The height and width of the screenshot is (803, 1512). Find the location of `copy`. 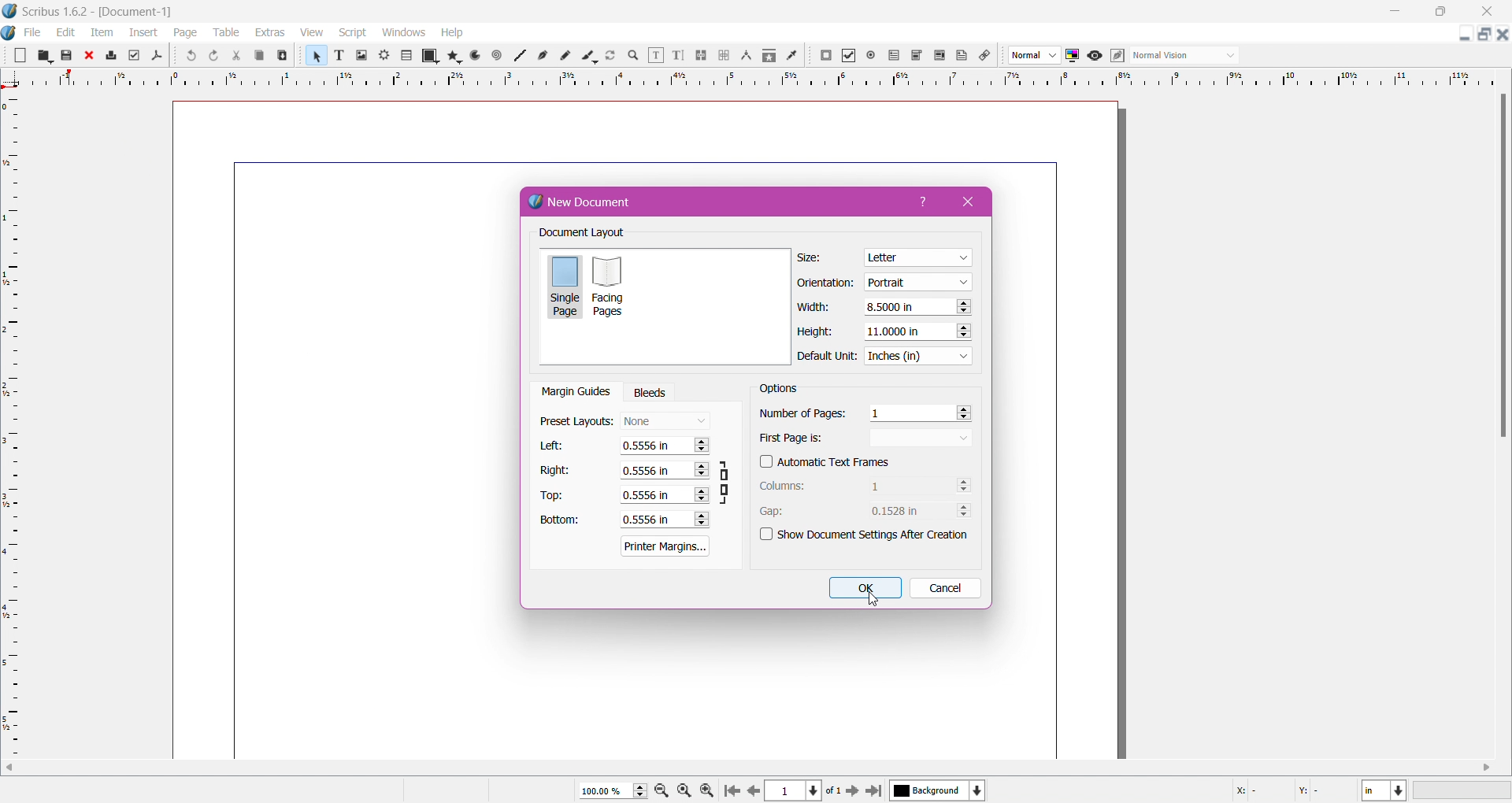

copy is located at coordinates (261, 57).